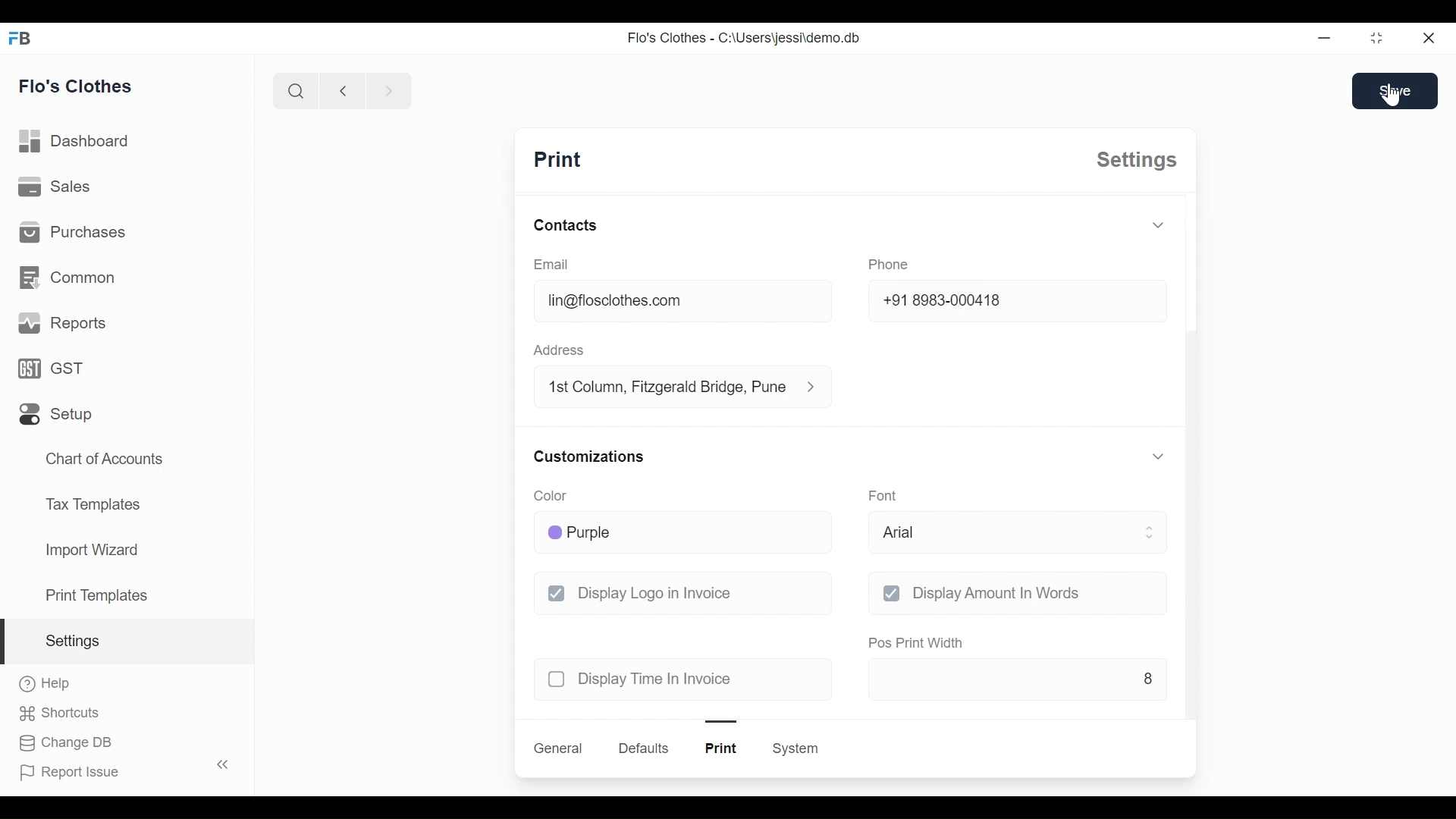  I want to click on customizations, so click(589, 457).